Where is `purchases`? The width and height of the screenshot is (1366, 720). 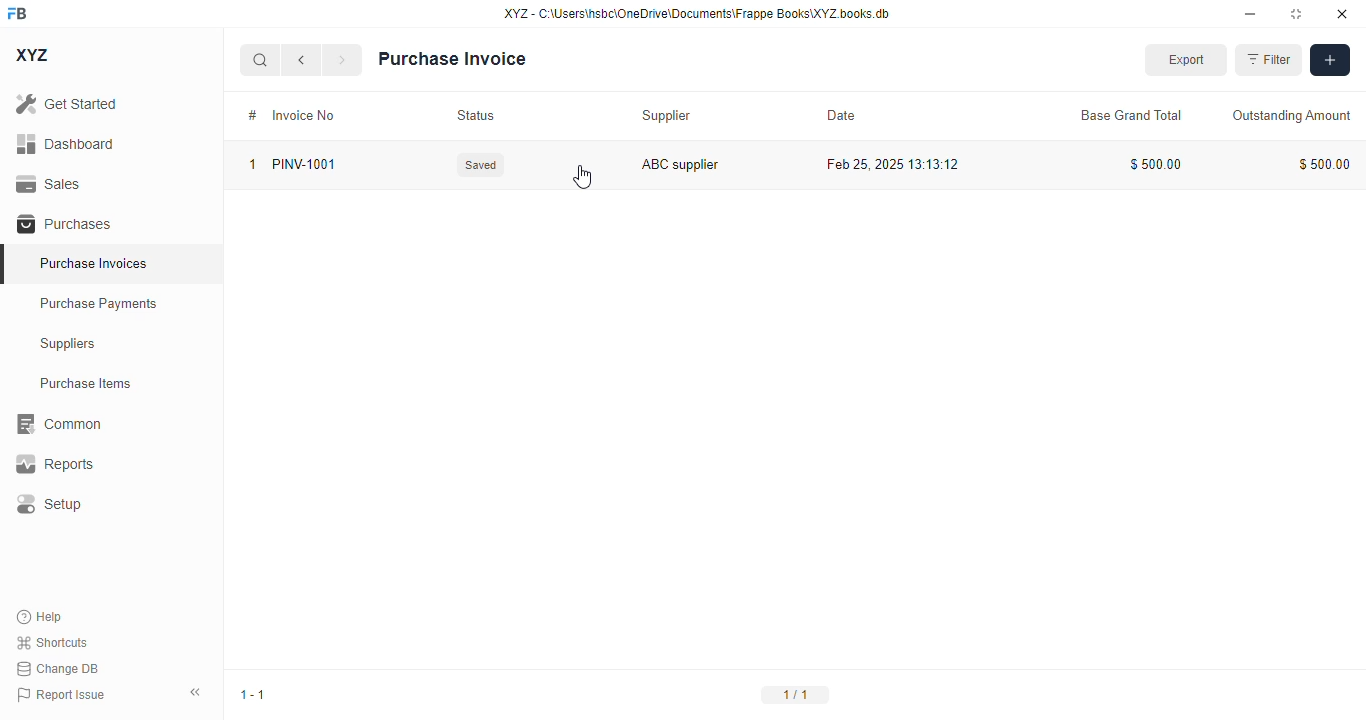
purchases is located at coordinates (64, 224).